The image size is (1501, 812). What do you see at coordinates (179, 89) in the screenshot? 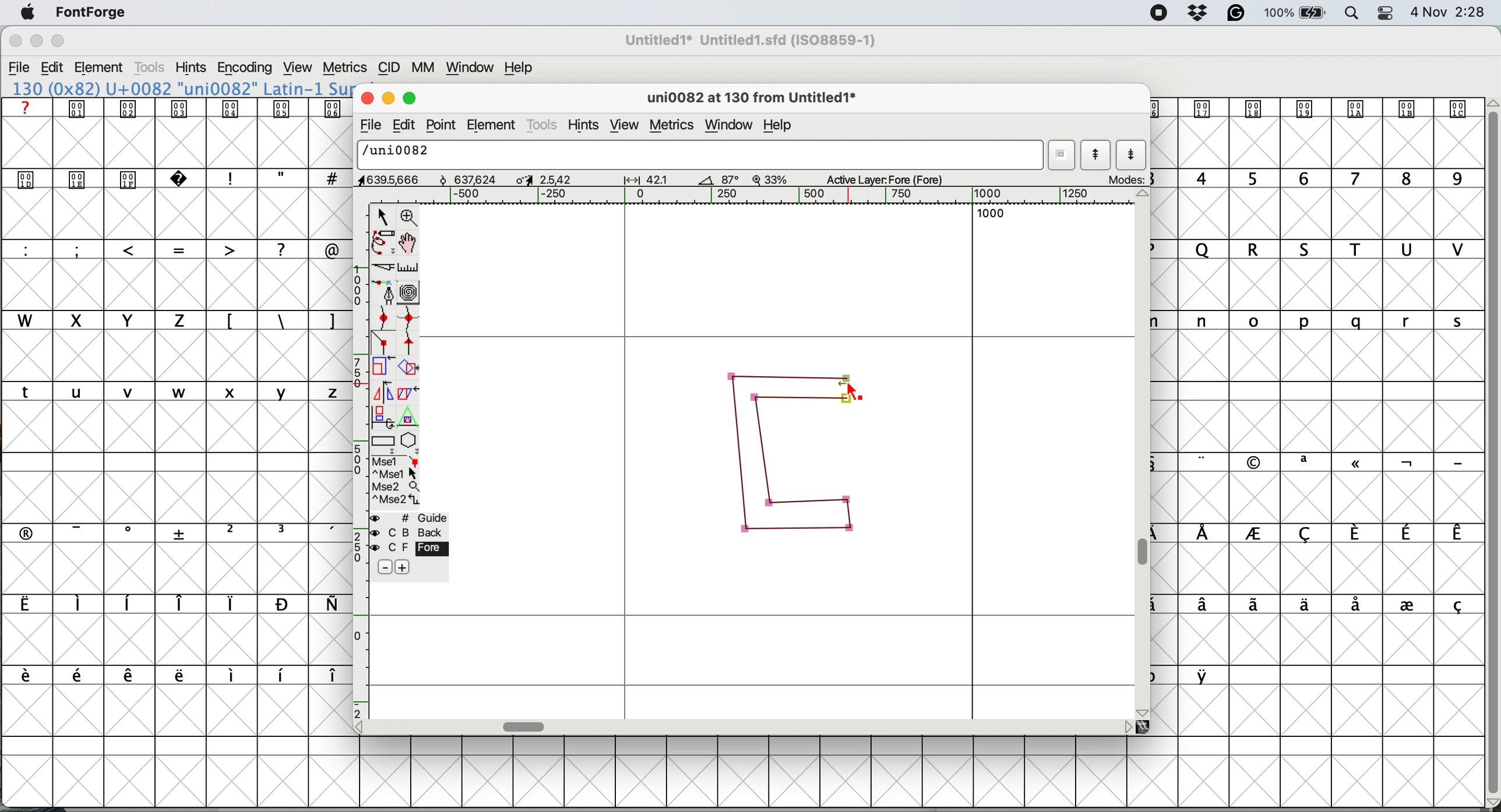
I see `font name` at bounding box center [179, 89].